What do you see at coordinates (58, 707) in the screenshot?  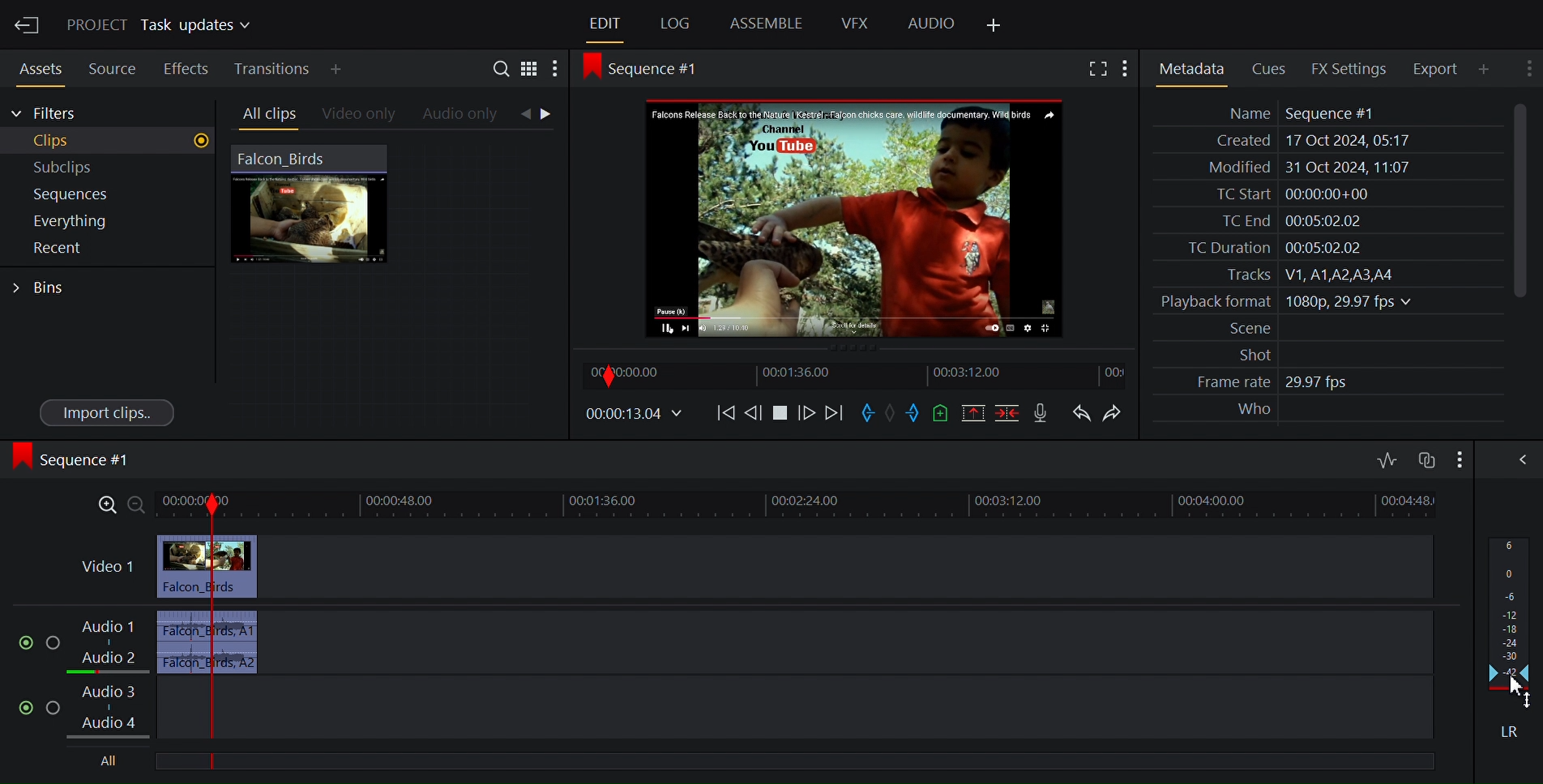 I see `Solo this track` at bounding box center [58, 707].